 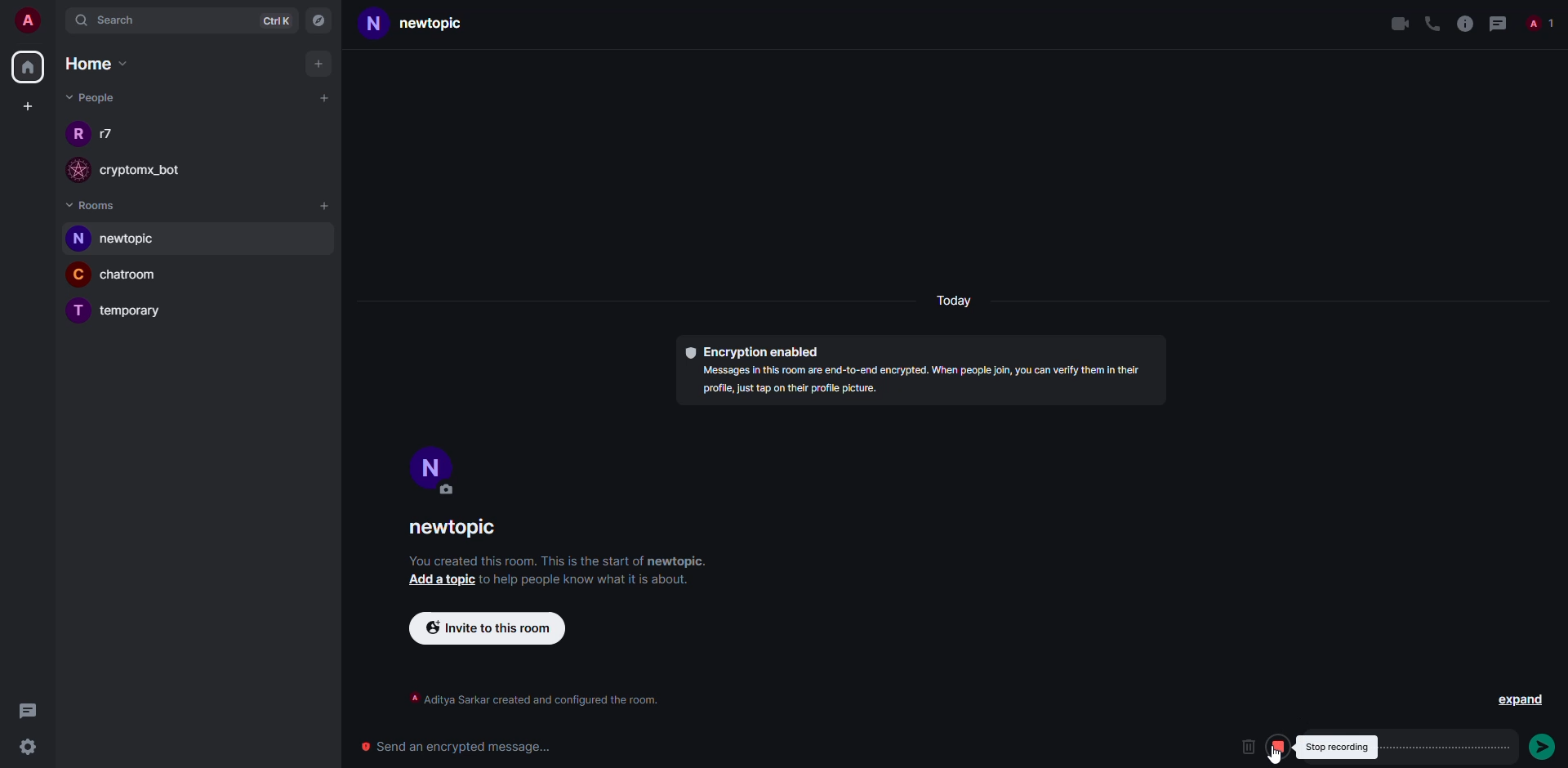 What do you see at coordinates (1337, 746) in the screenshot?
I see `stop recording` at bounding box center [1337, 746].